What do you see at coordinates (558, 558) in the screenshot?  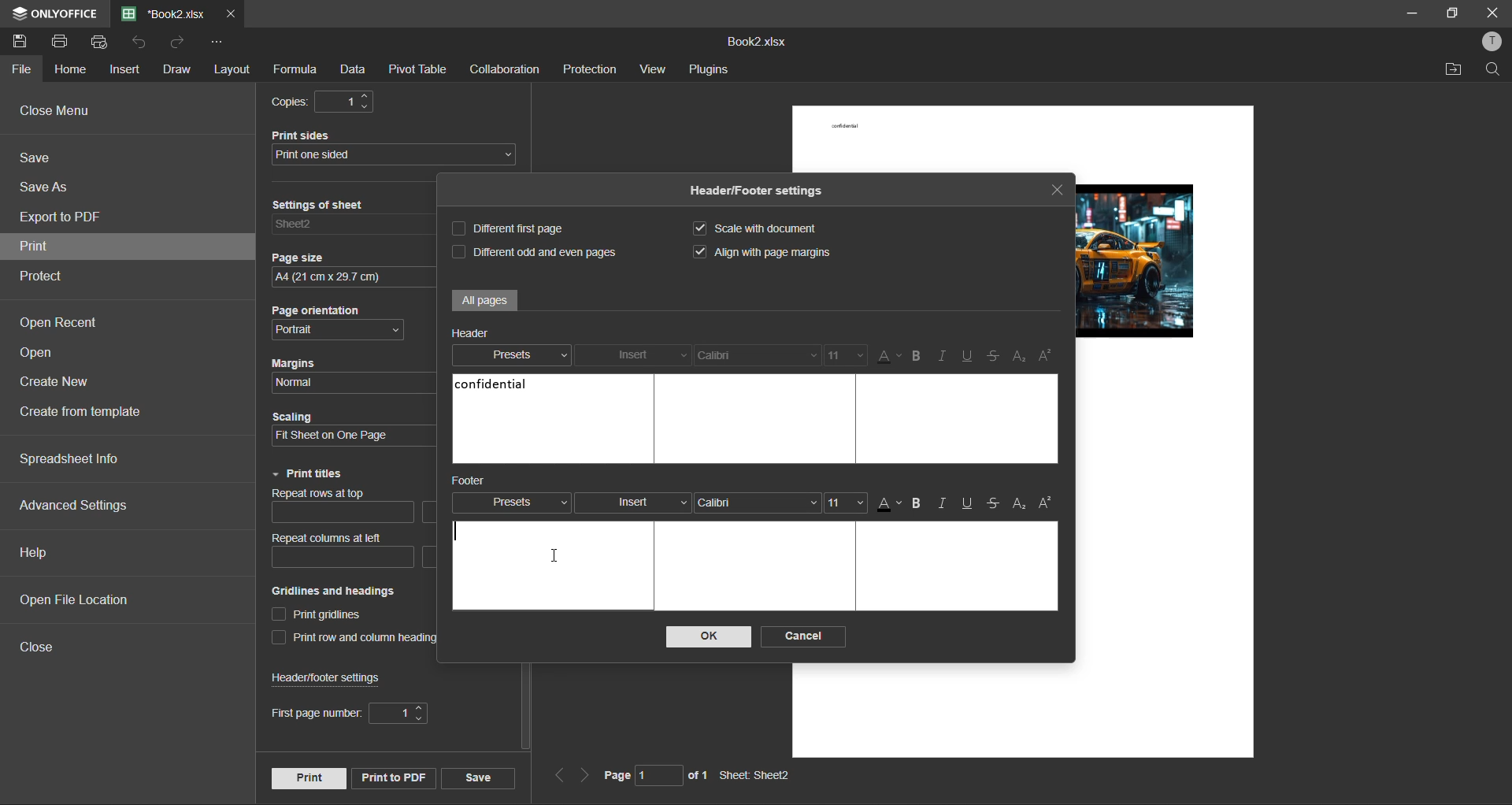 I see `cursor` at bounding box center [558, 558].